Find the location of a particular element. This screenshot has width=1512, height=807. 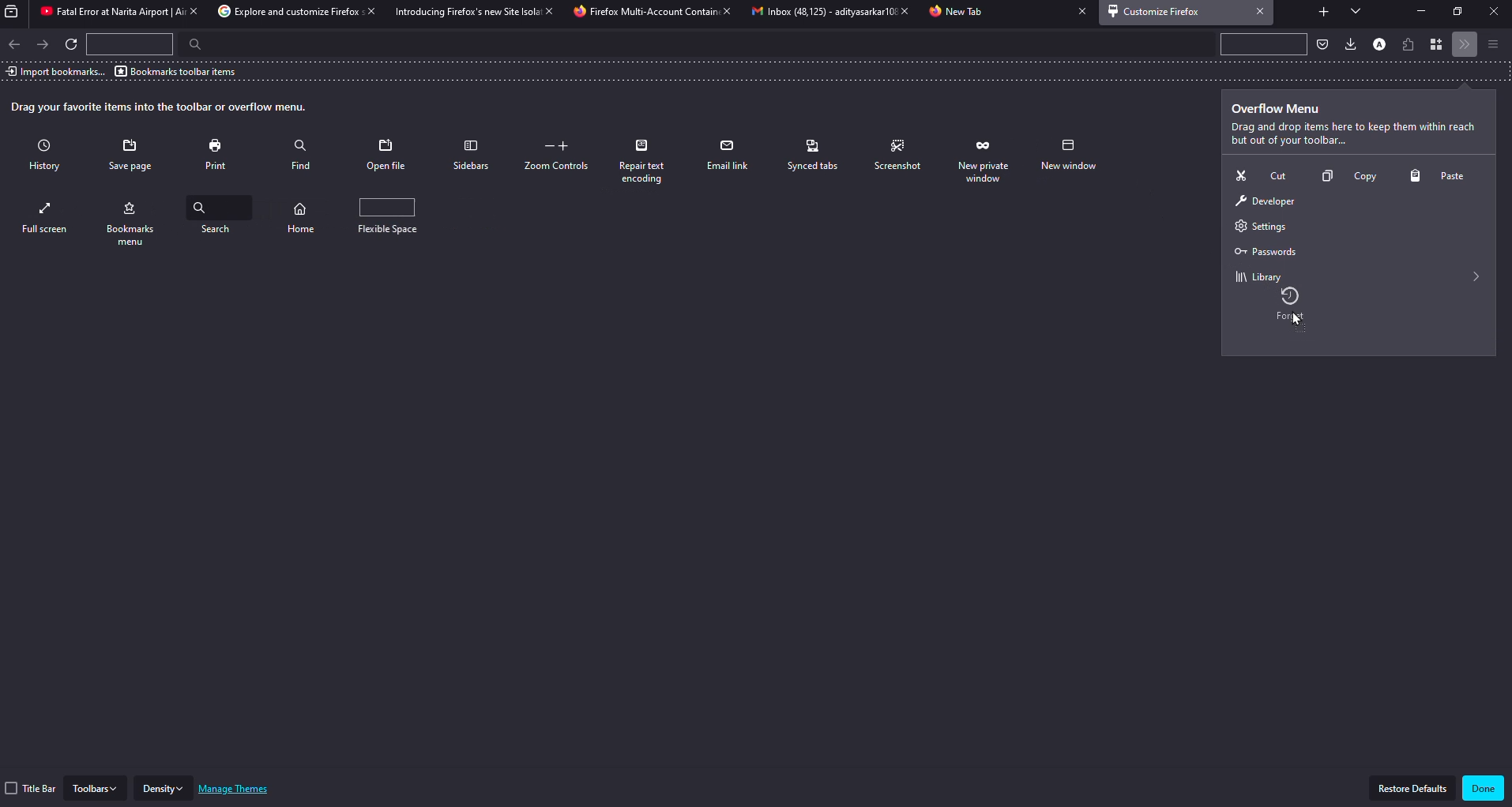

close is located at coordinates (1078, 12).